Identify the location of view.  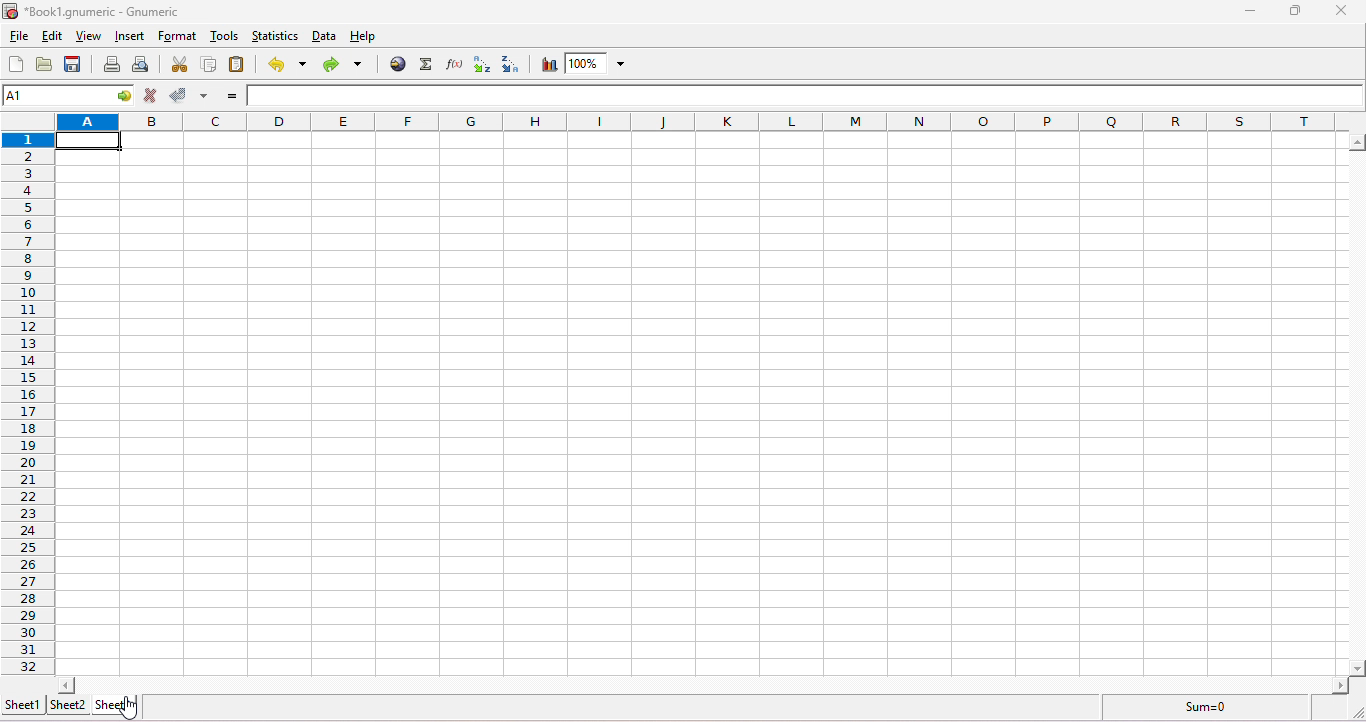
(87, 36).